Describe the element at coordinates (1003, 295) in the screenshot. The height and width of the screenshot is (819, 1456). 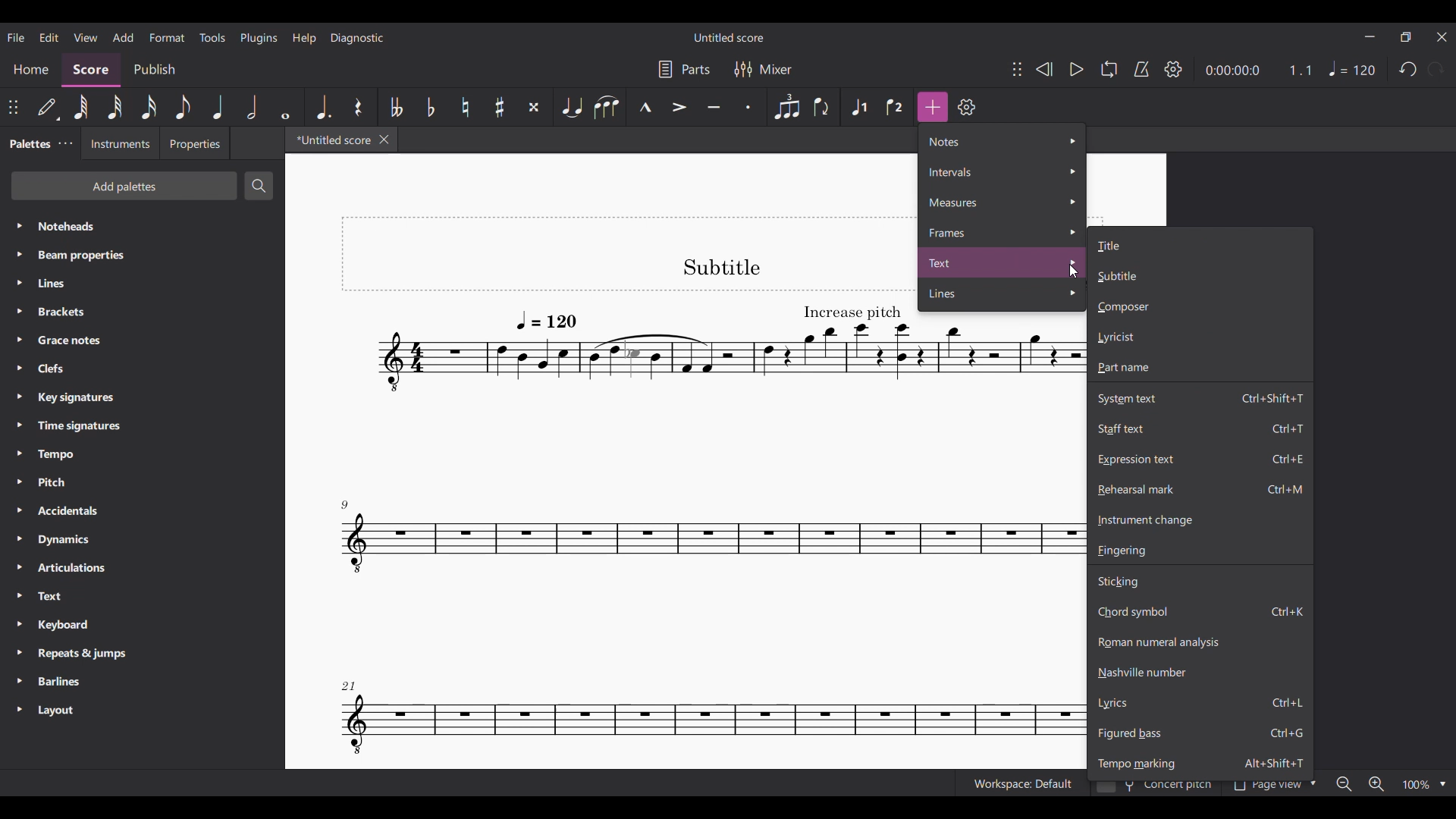
I see `Lines option` at that location.